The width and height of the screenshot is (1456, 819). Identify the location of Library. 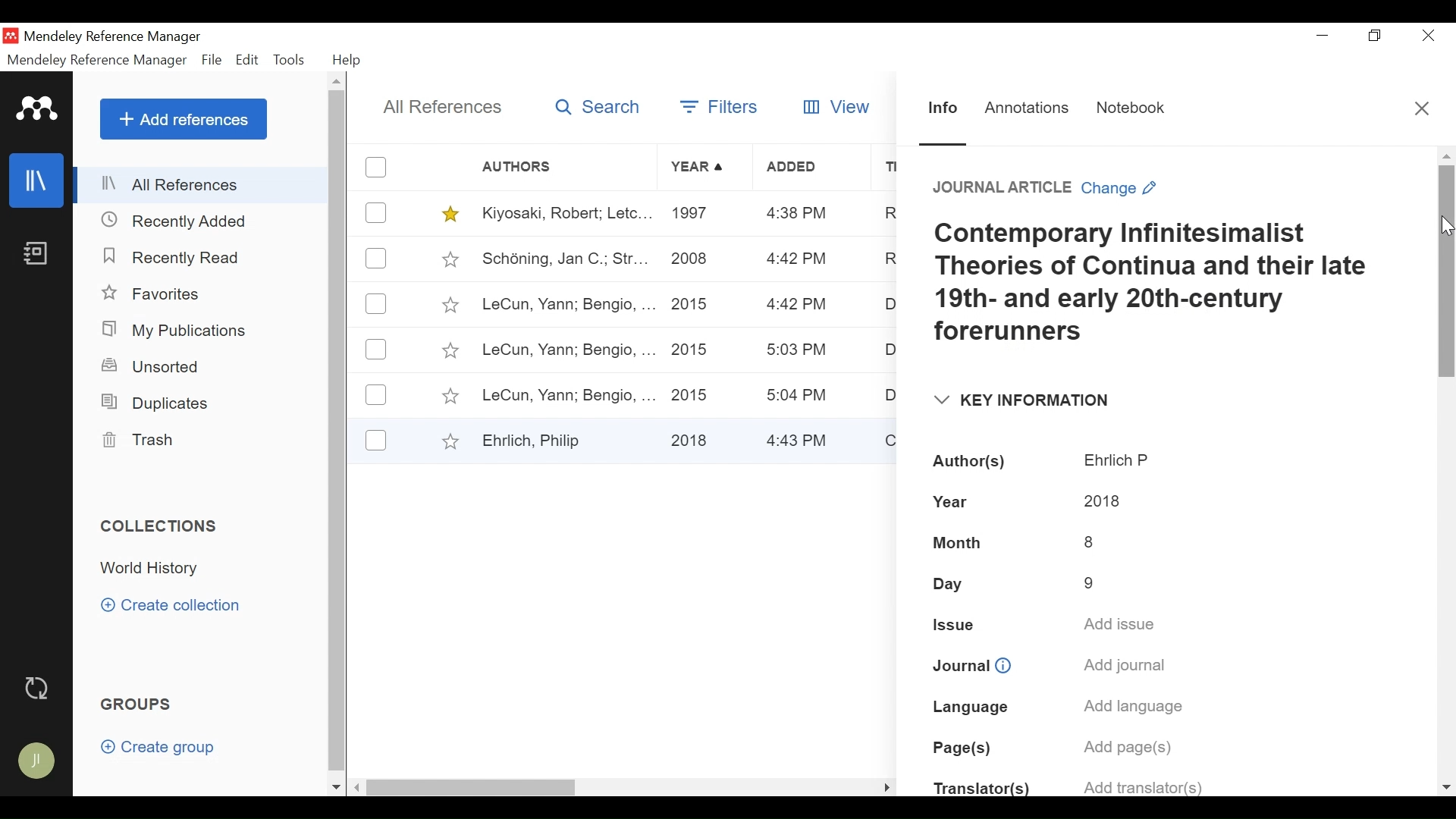
(34, 180).